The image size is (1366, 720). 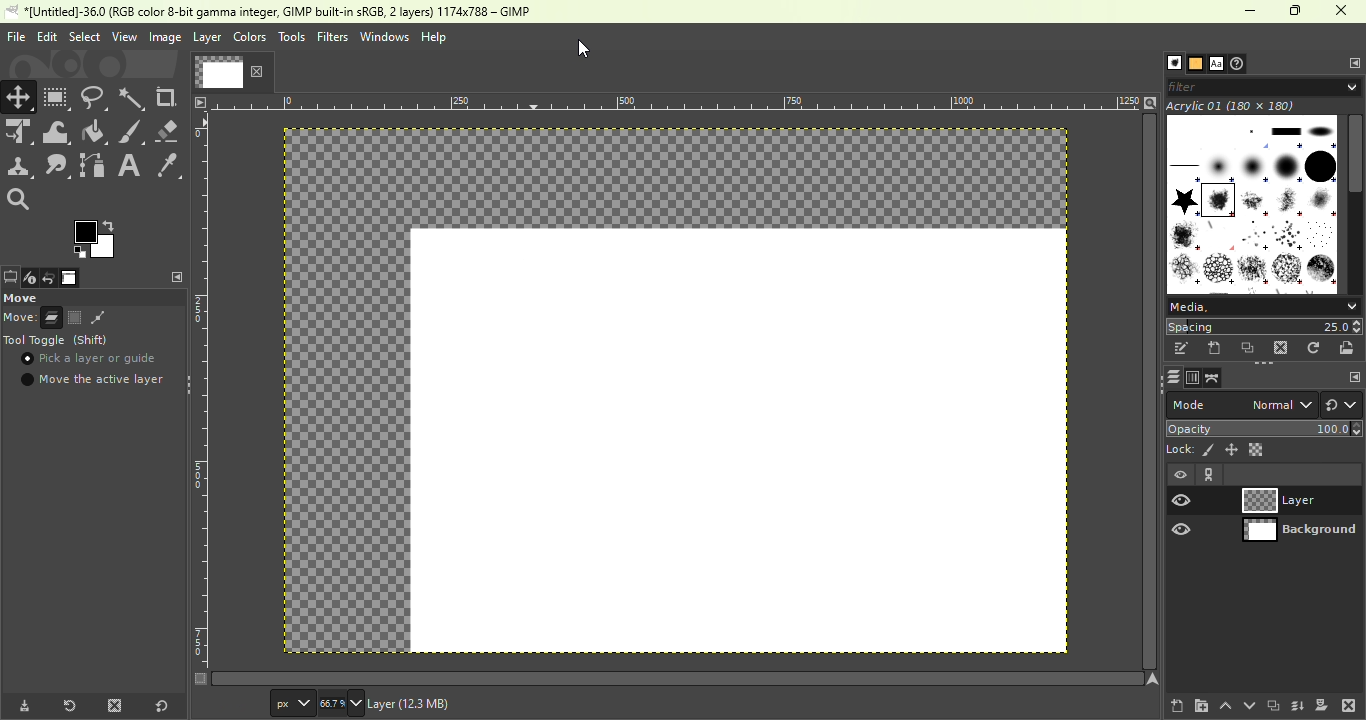 What do you see at coordinates (132, 132) in the screenshot?
I see `Paintbrush tool` at bounding box center [132, 132].